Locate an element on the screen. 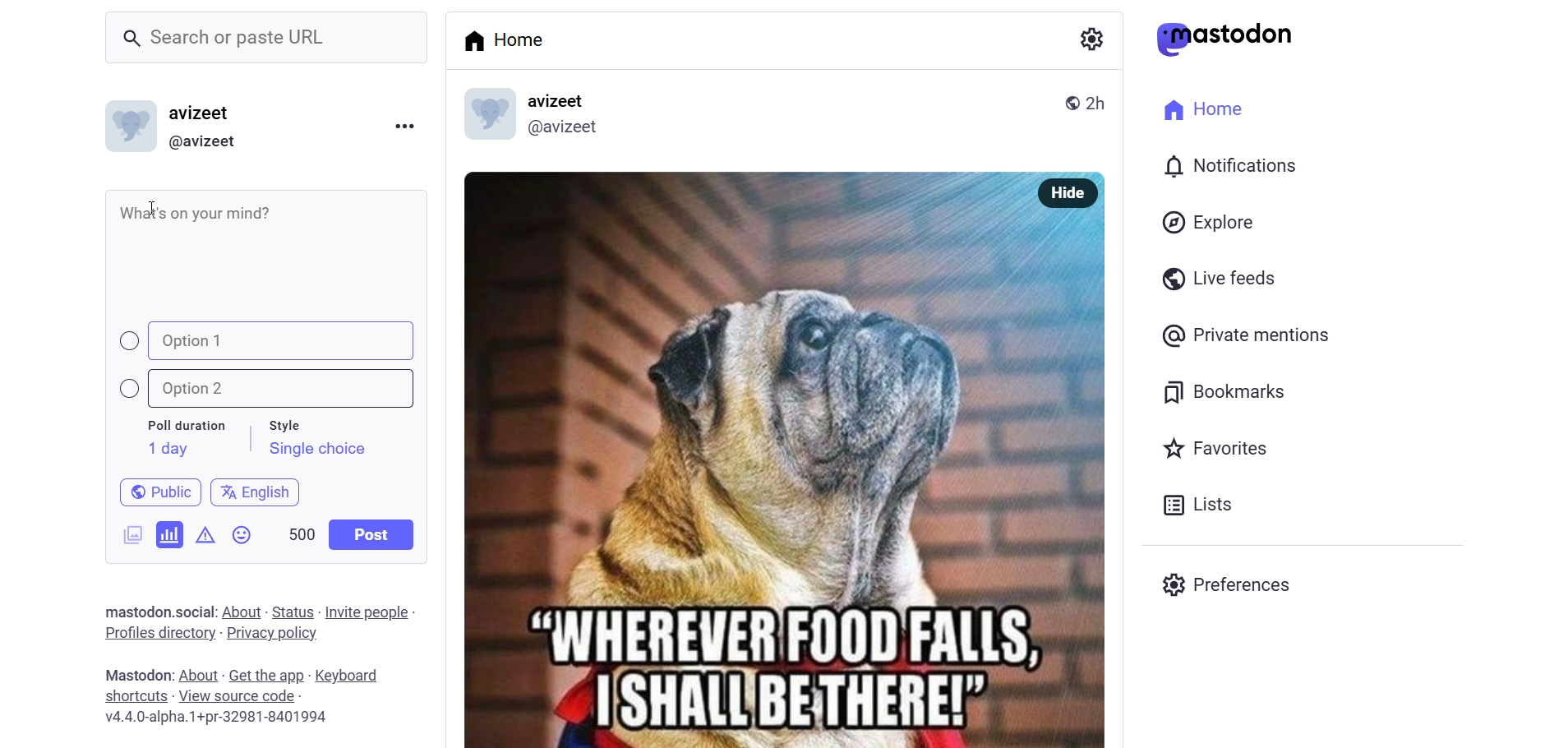 This screenshot has height=748, width=1568. Search or paste URL is located at coordinates (266, 38).